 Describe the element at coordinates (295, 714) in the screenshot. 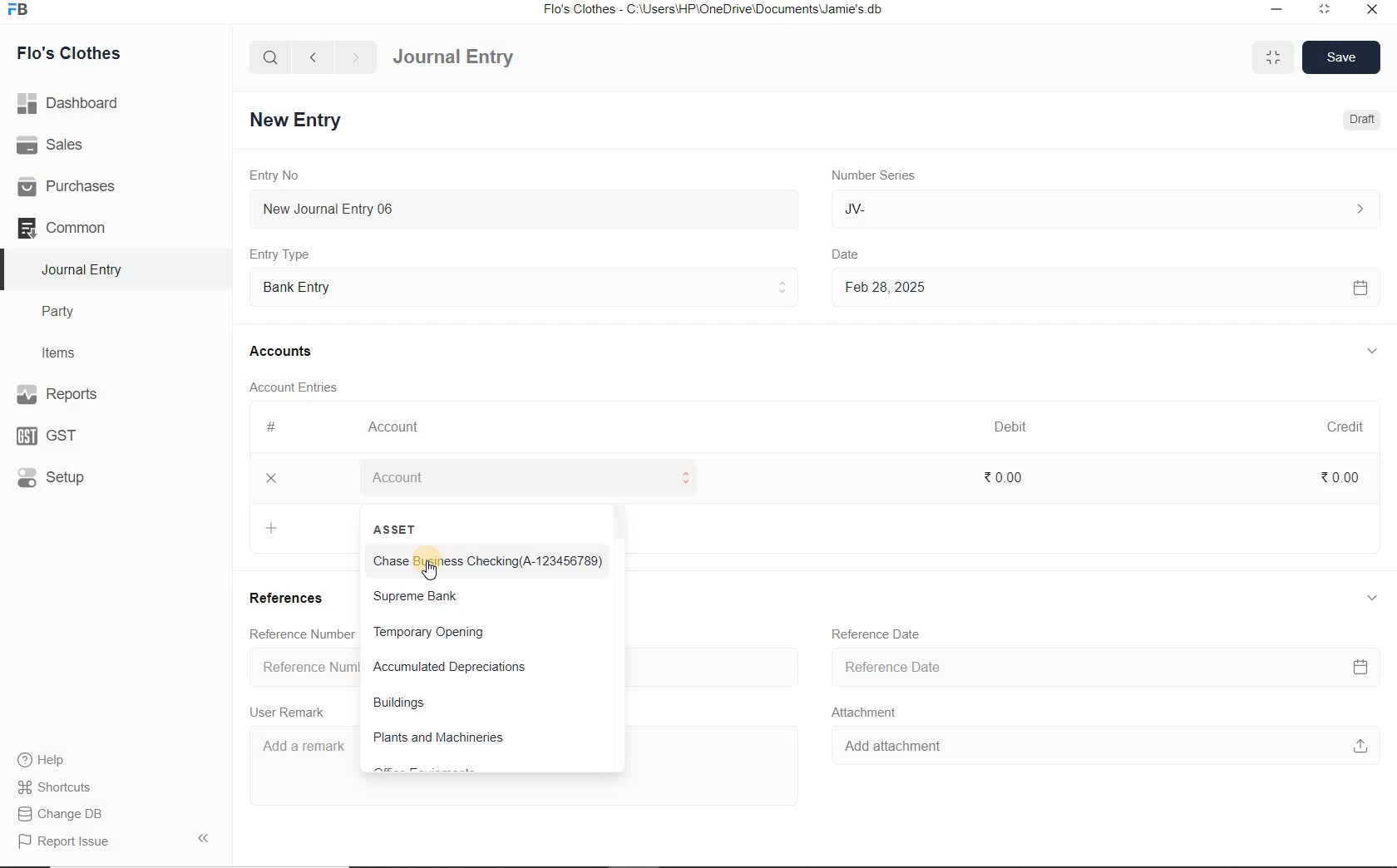

I see `User Remark` at that location.